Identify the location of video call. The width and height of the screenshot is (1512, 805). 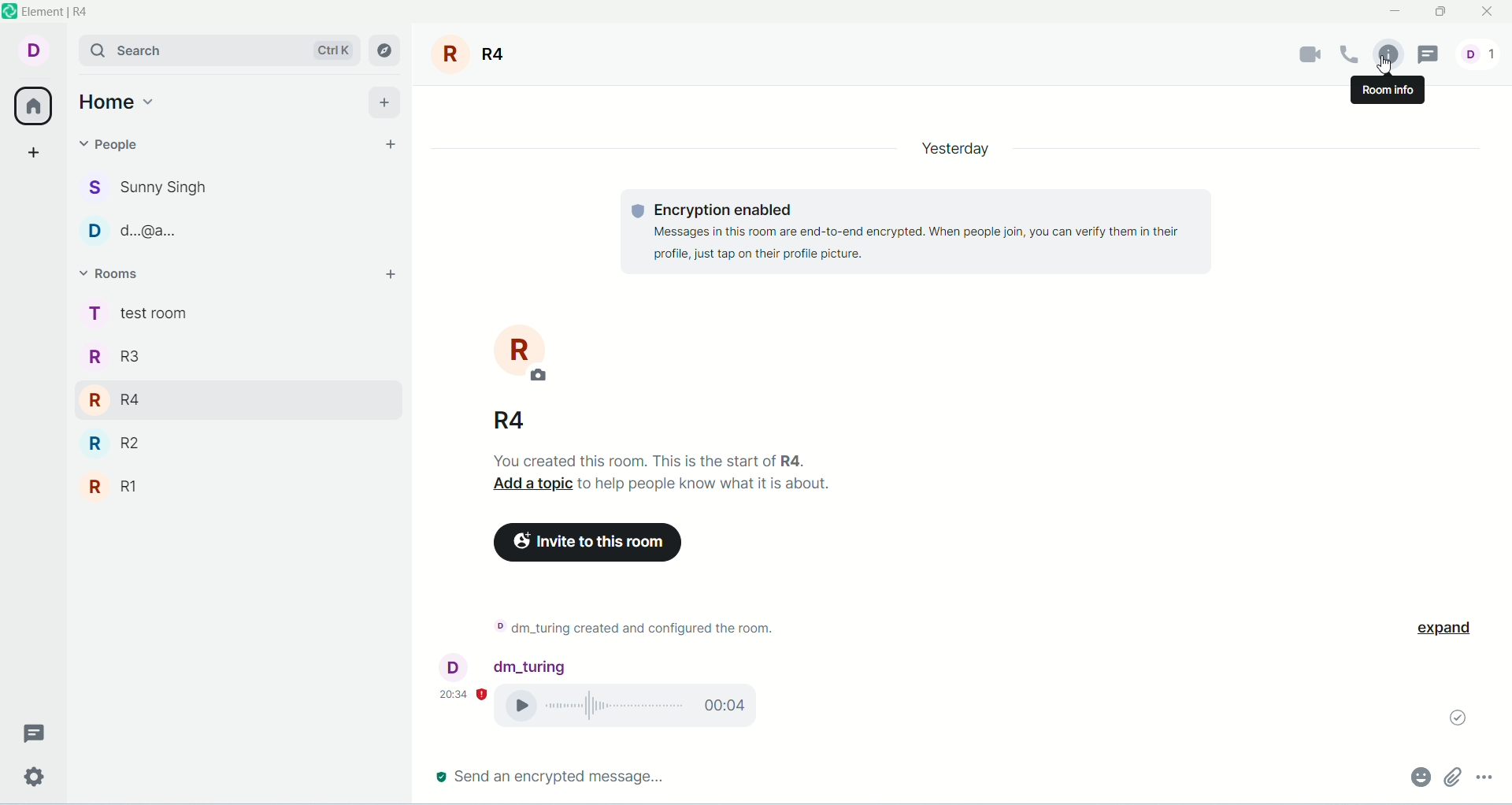
(1312, 55).